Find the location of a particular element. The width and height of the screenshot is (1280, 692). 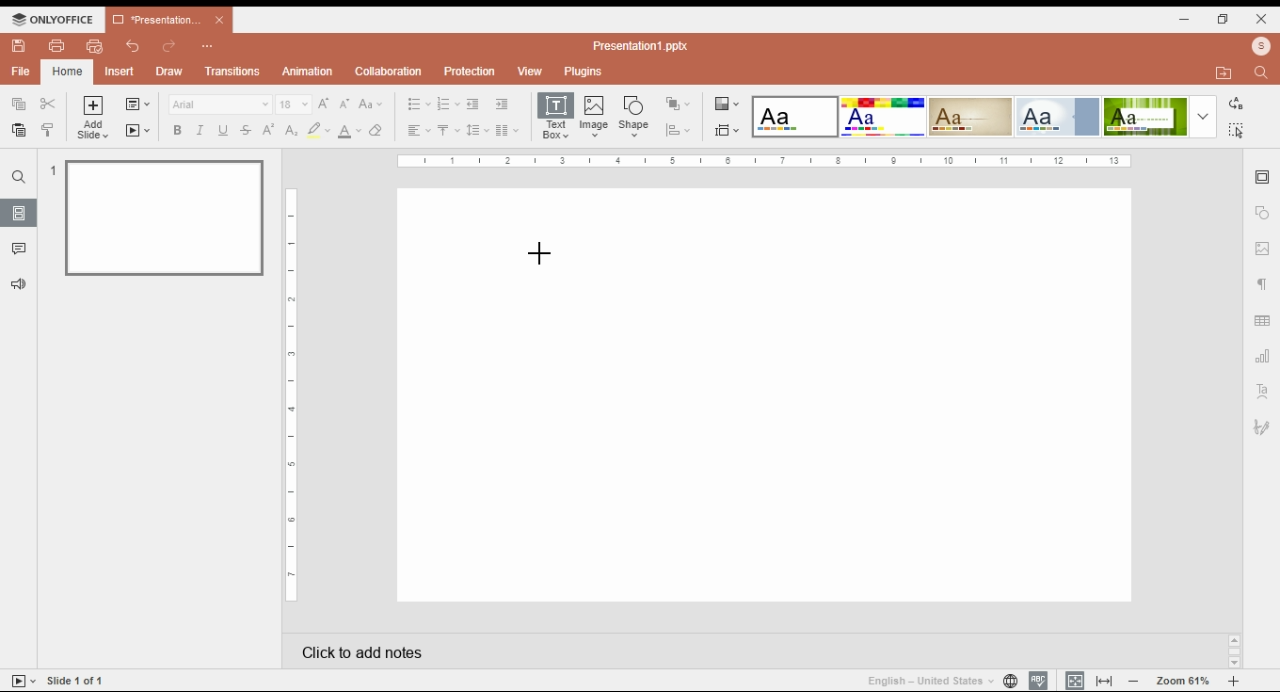

scrollbar is located at coordinates (1235, 651).